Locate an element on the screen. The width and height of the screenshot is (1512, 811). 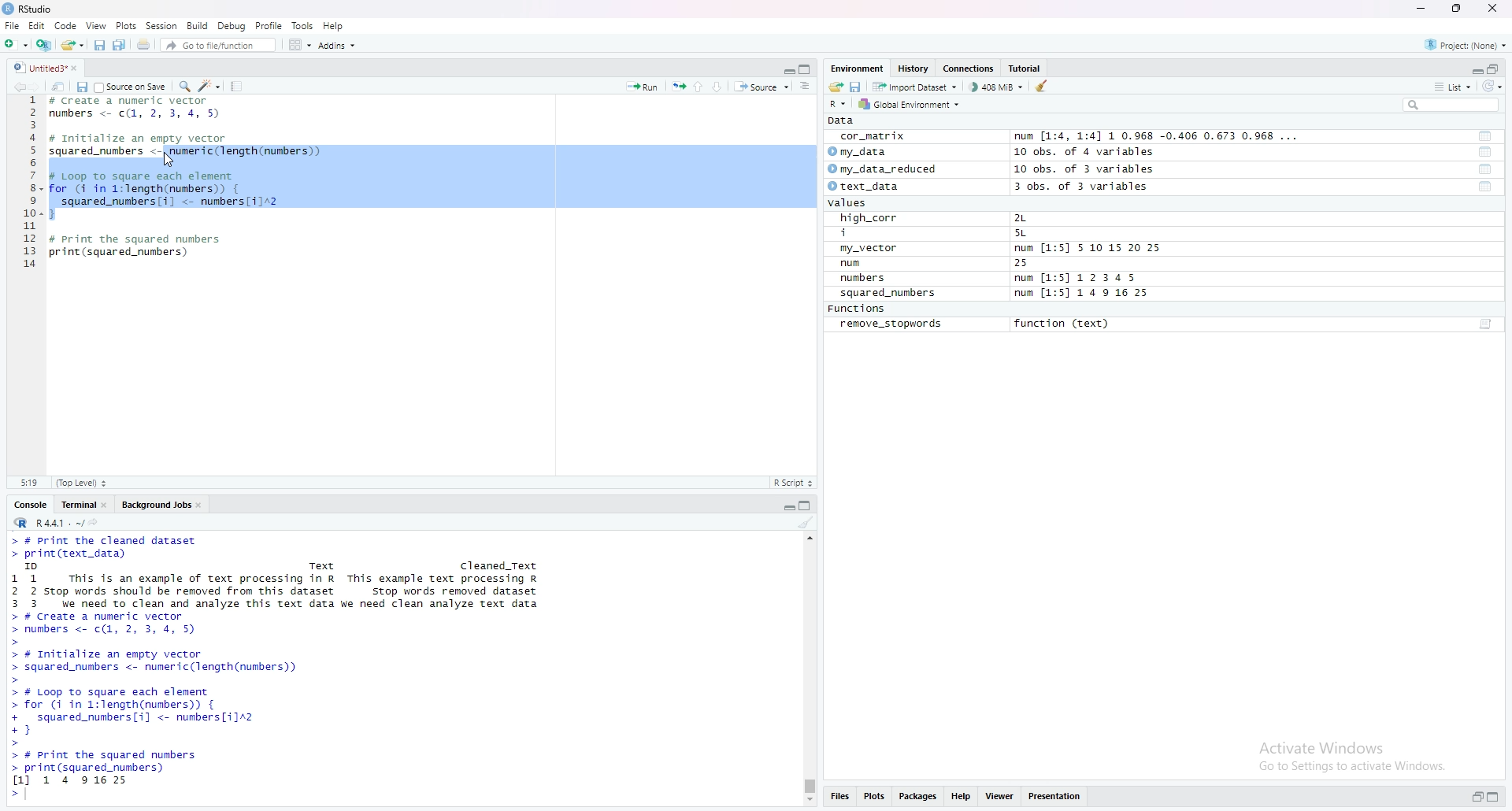
5L is located at coordinates (1024, 234).